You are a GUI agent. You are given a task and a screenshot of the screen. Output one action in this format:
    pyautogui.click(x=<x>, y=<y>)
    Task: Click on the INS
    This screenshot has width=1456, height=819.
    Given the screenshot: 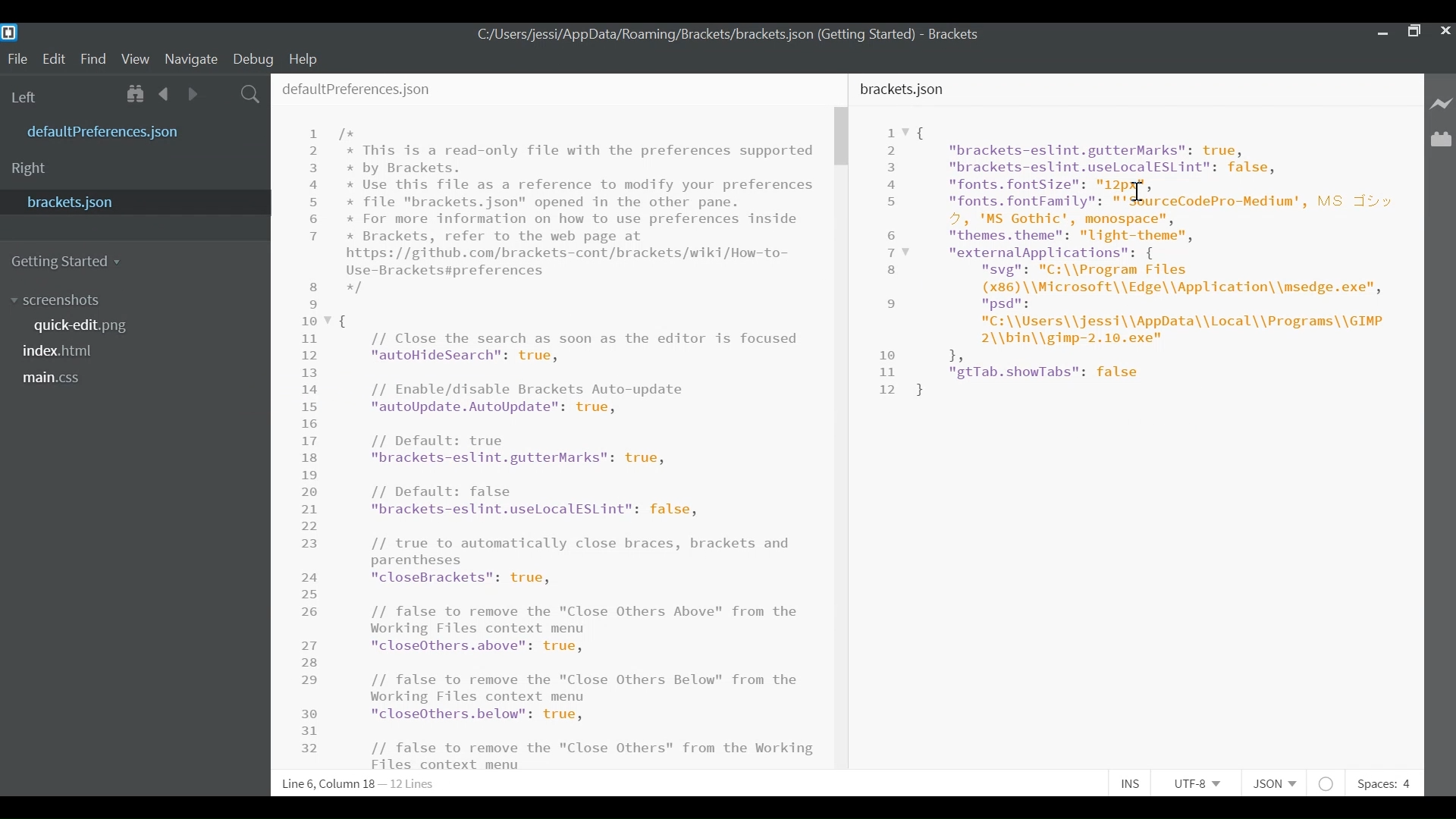 What is the action you would take?
    pyautogui.click(x=1131, y=781)
    